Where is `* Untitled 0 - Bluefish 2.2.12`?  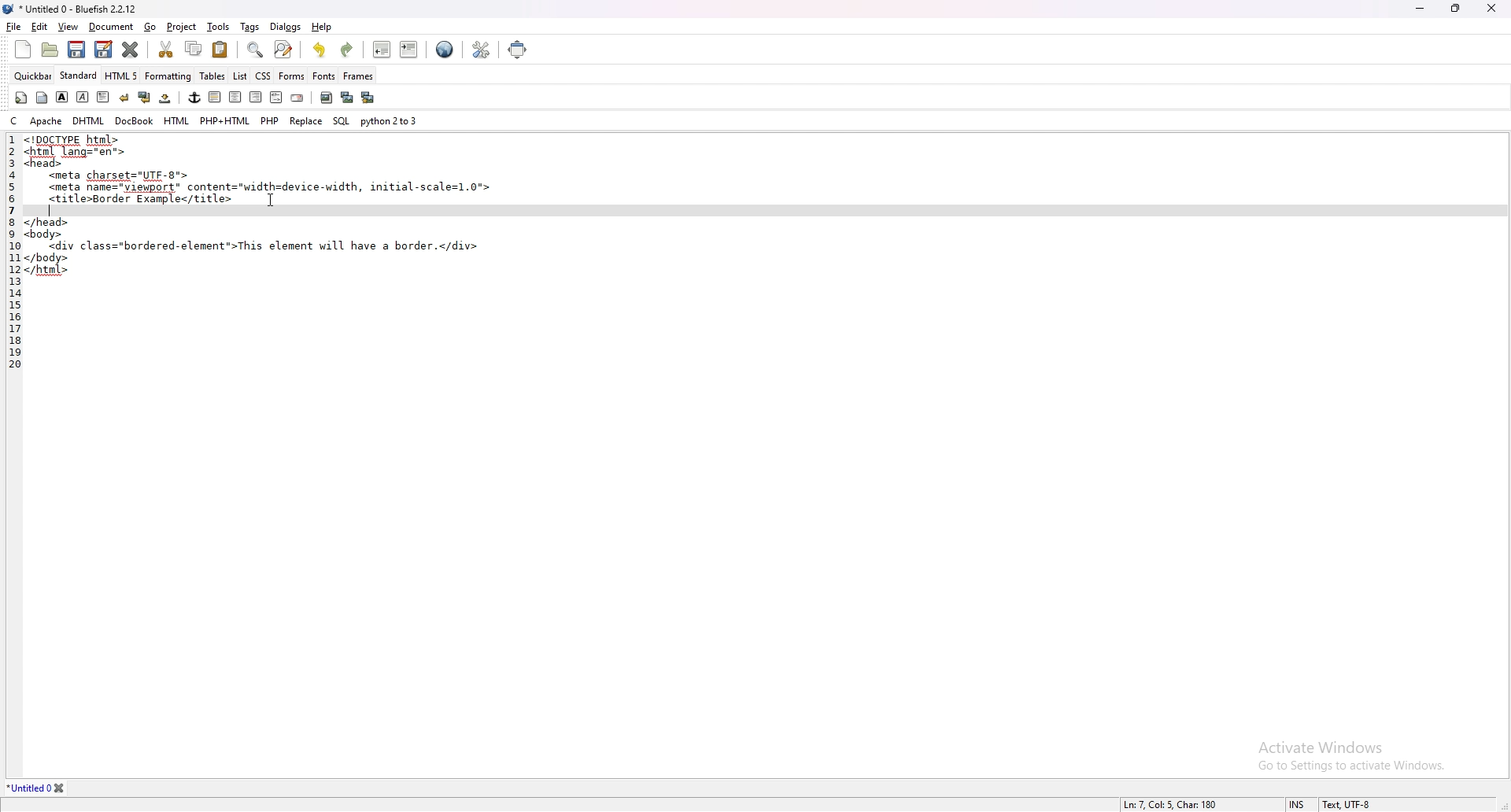 * Untitled 0 - Bluefish 2.2.12 is located at coordinates (79, 10).